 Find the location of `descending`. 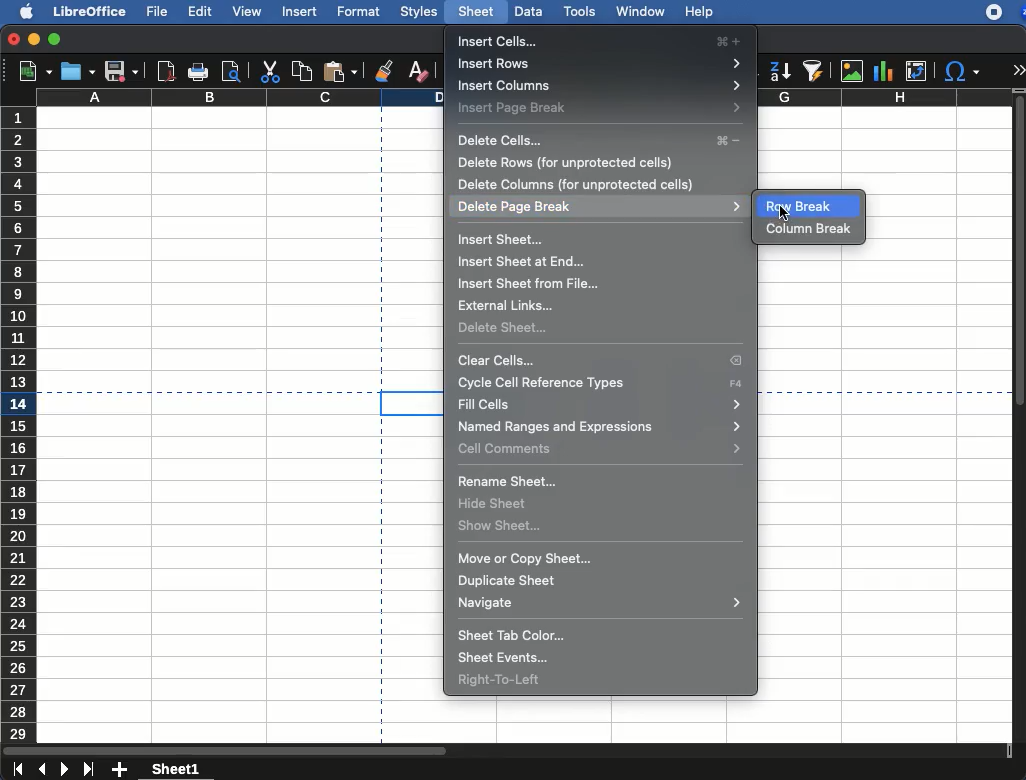

descending is located at coordinates (780, 73).